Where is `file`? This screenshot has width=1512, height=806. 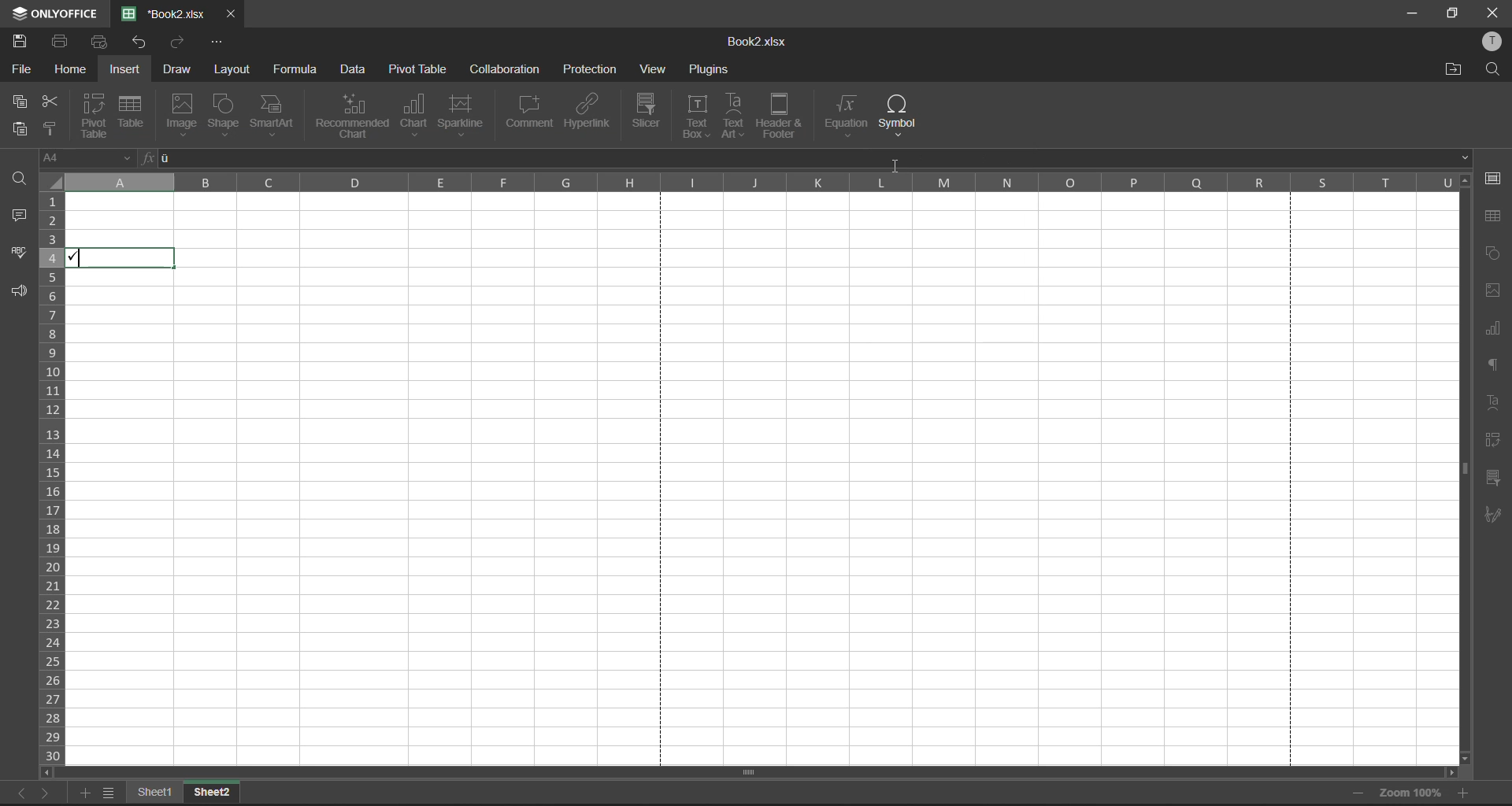 file is located at coordinates (19, 72).